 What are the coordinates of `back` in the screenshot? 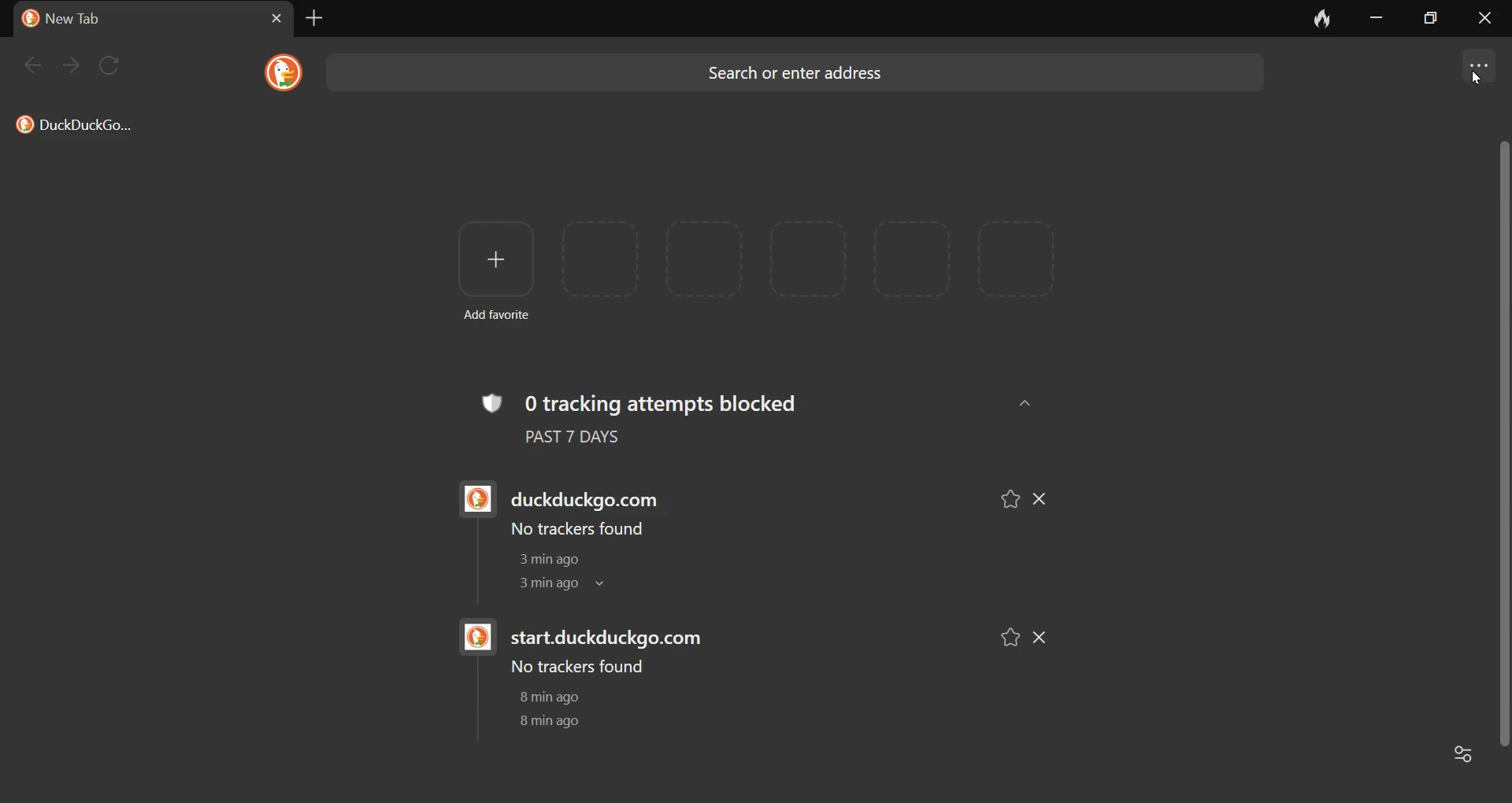 It's located at (37, 70).